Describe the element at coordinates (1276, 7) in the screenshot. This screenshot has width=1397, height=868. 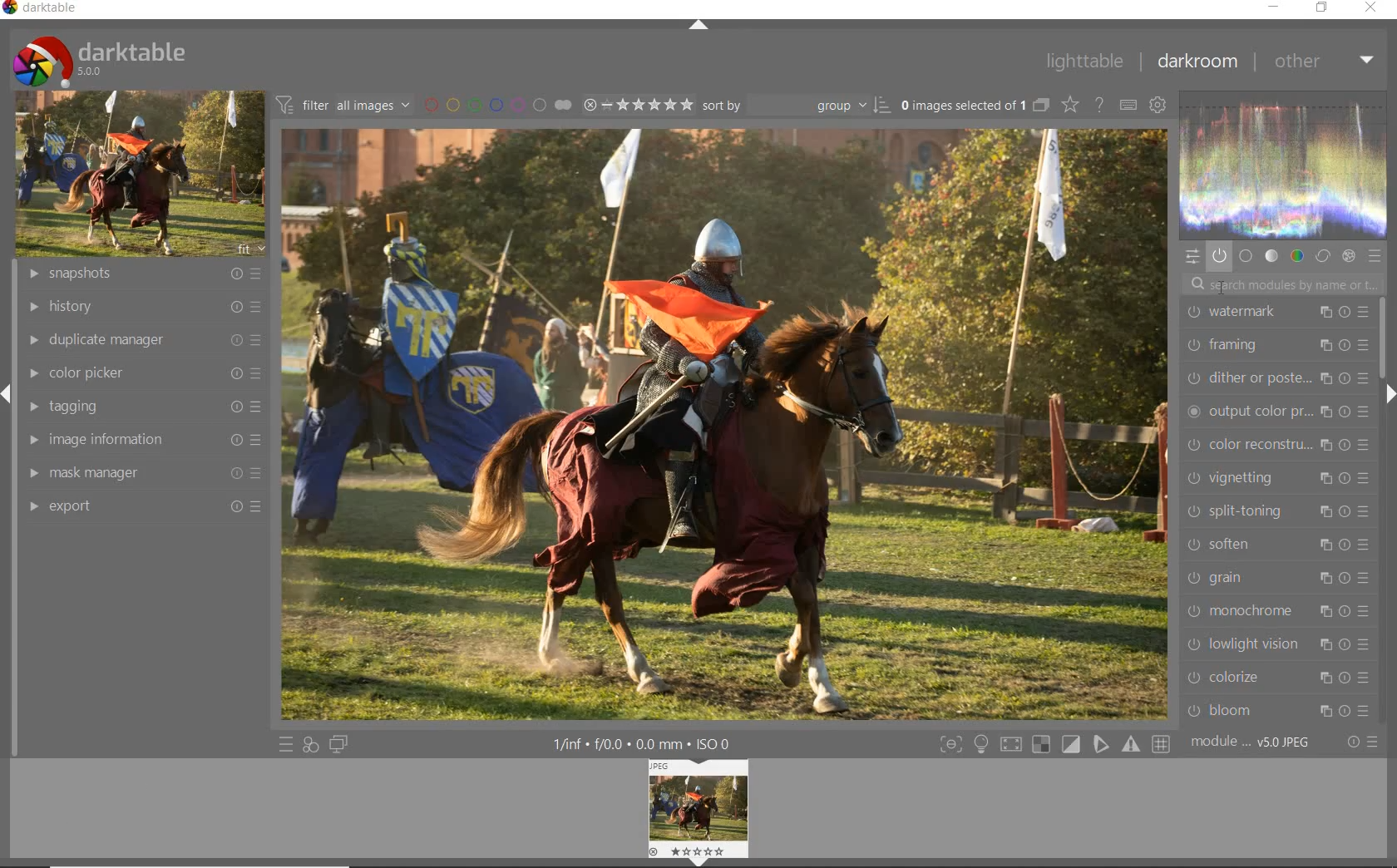
I see `minimize` at that location.